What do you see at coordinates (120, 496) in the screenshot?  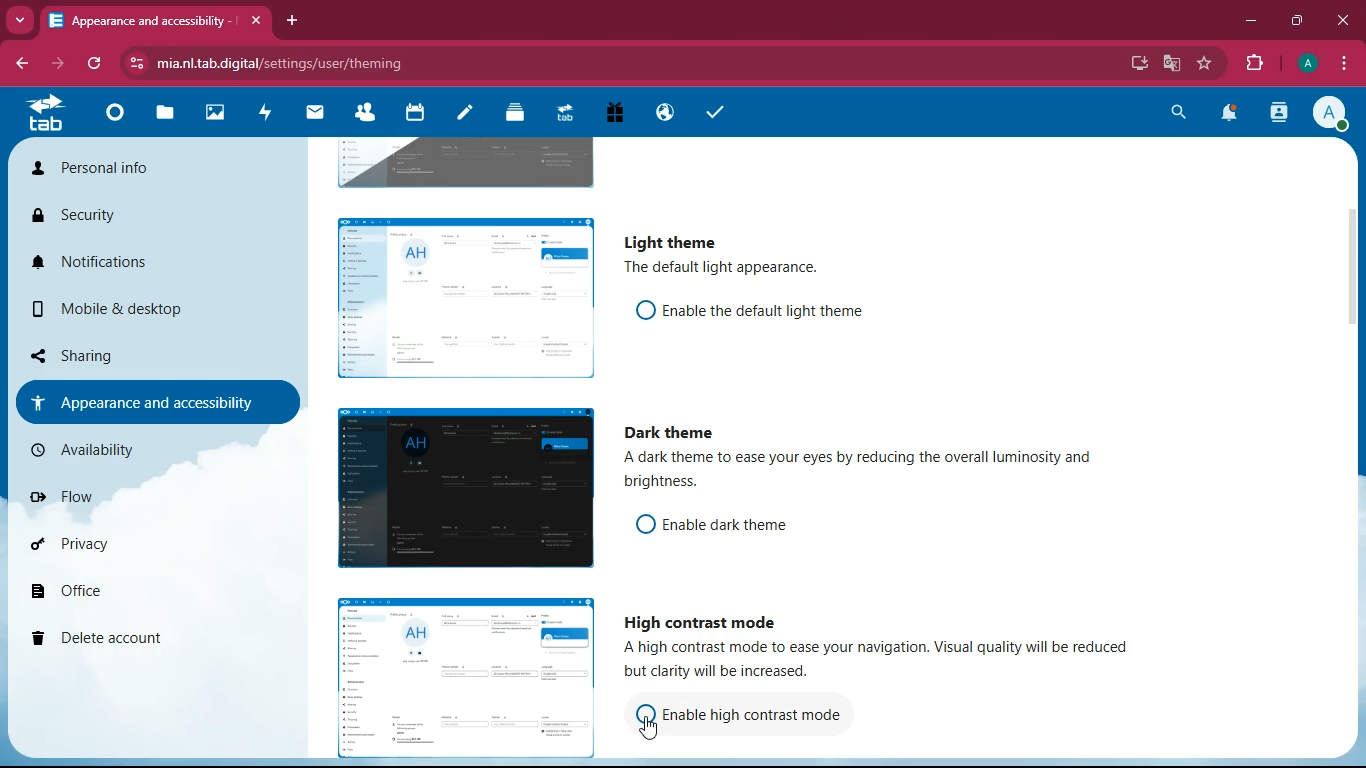 I see `flow` at bounding box center [120, 496].